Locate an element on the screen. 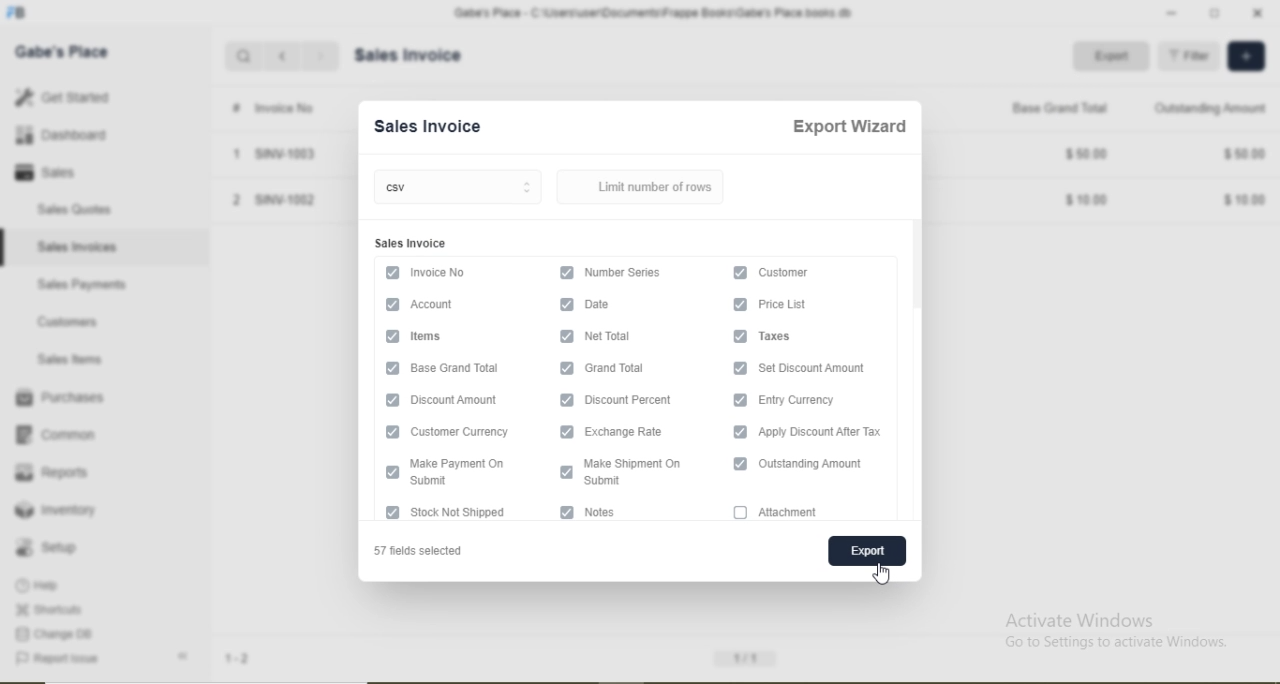  Make Shipment On
Submit is located at coordinates (641, 472).